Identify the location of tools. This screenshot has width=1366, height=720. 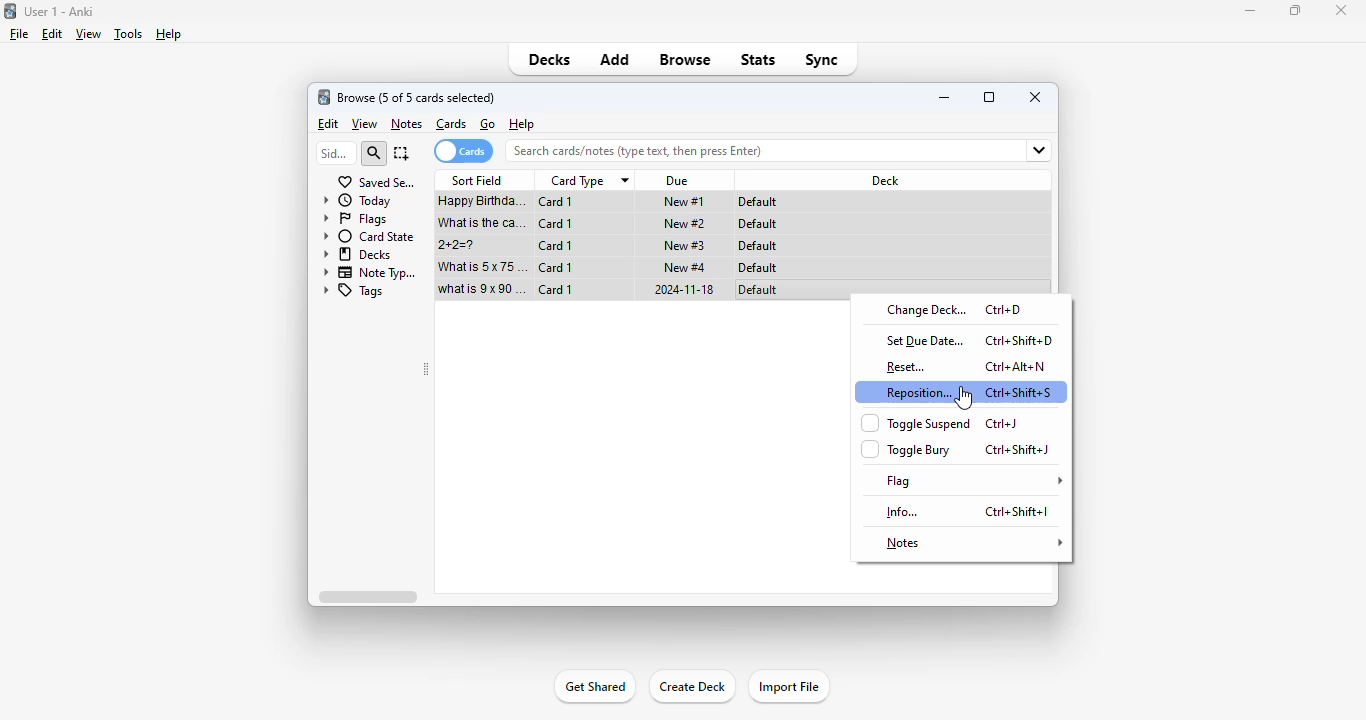
(128, 35).